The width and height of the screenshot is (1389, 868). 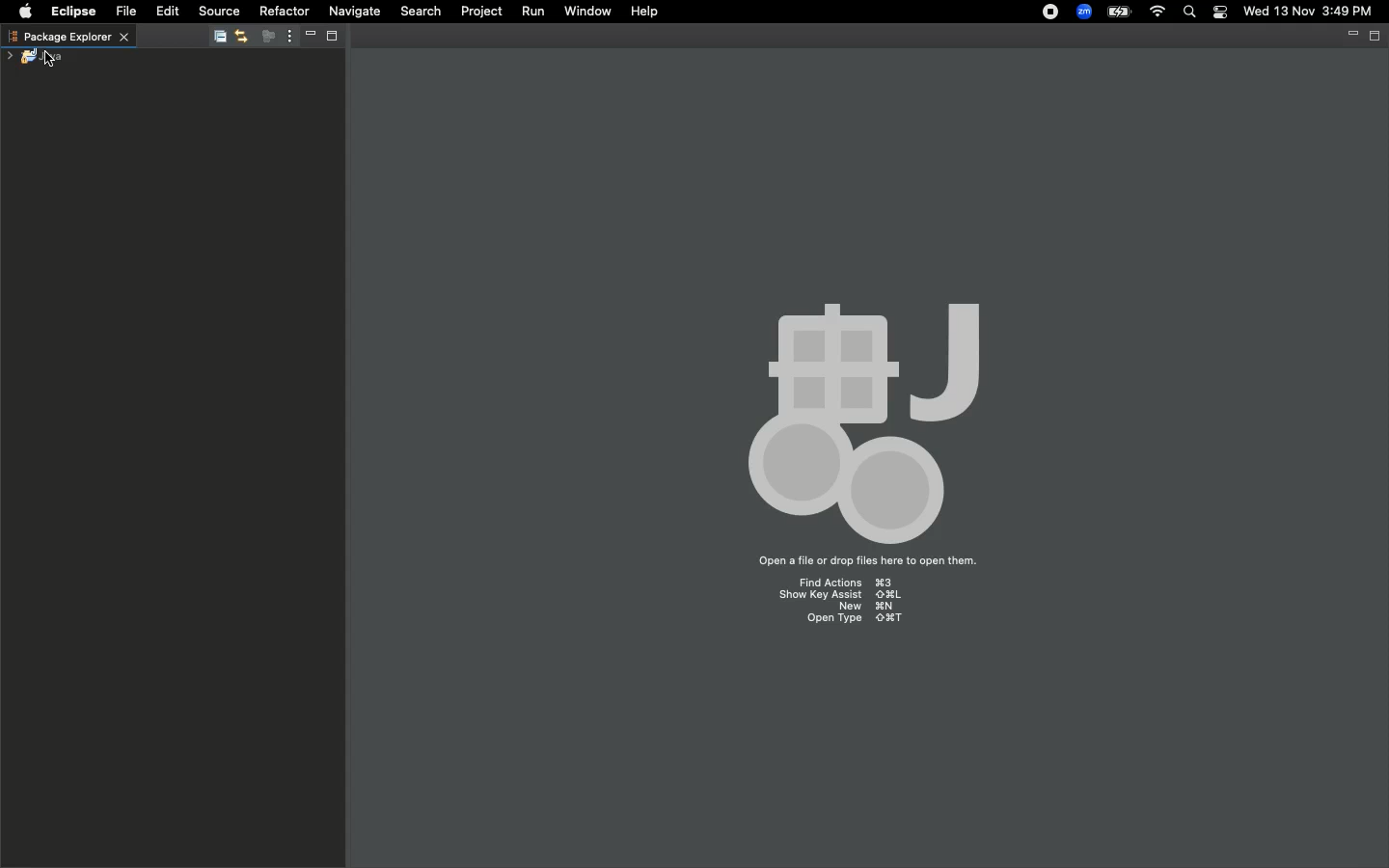 I want to click on Run, so click(x=532, y=13).